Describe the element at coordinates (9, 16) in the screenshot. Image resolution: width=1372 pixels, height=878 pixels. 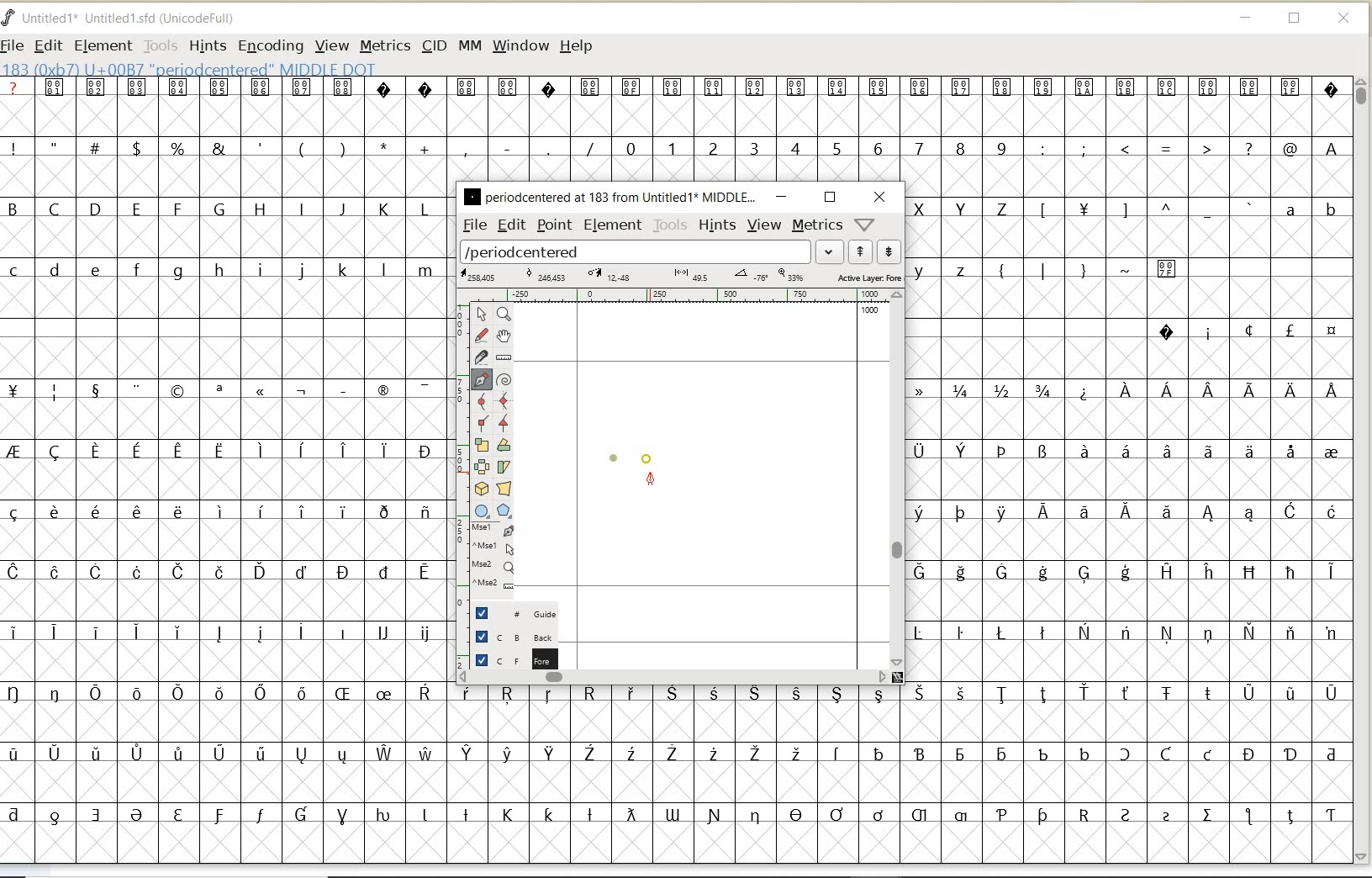
I see `FontForge Logo` at that location.